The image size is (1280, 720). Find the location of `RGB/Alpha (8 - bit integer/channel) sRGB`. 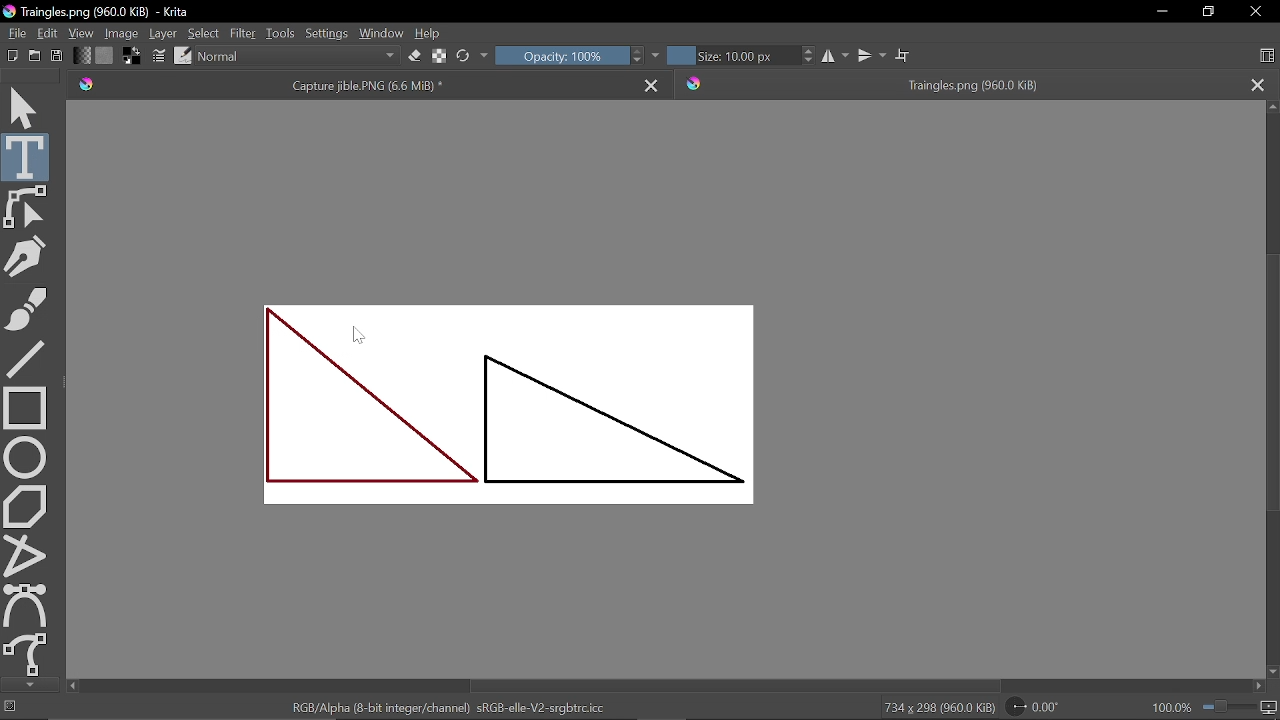

RGB/Alpha (8 - bit integer/channel) sRGB is located at coordinates (455, 707).